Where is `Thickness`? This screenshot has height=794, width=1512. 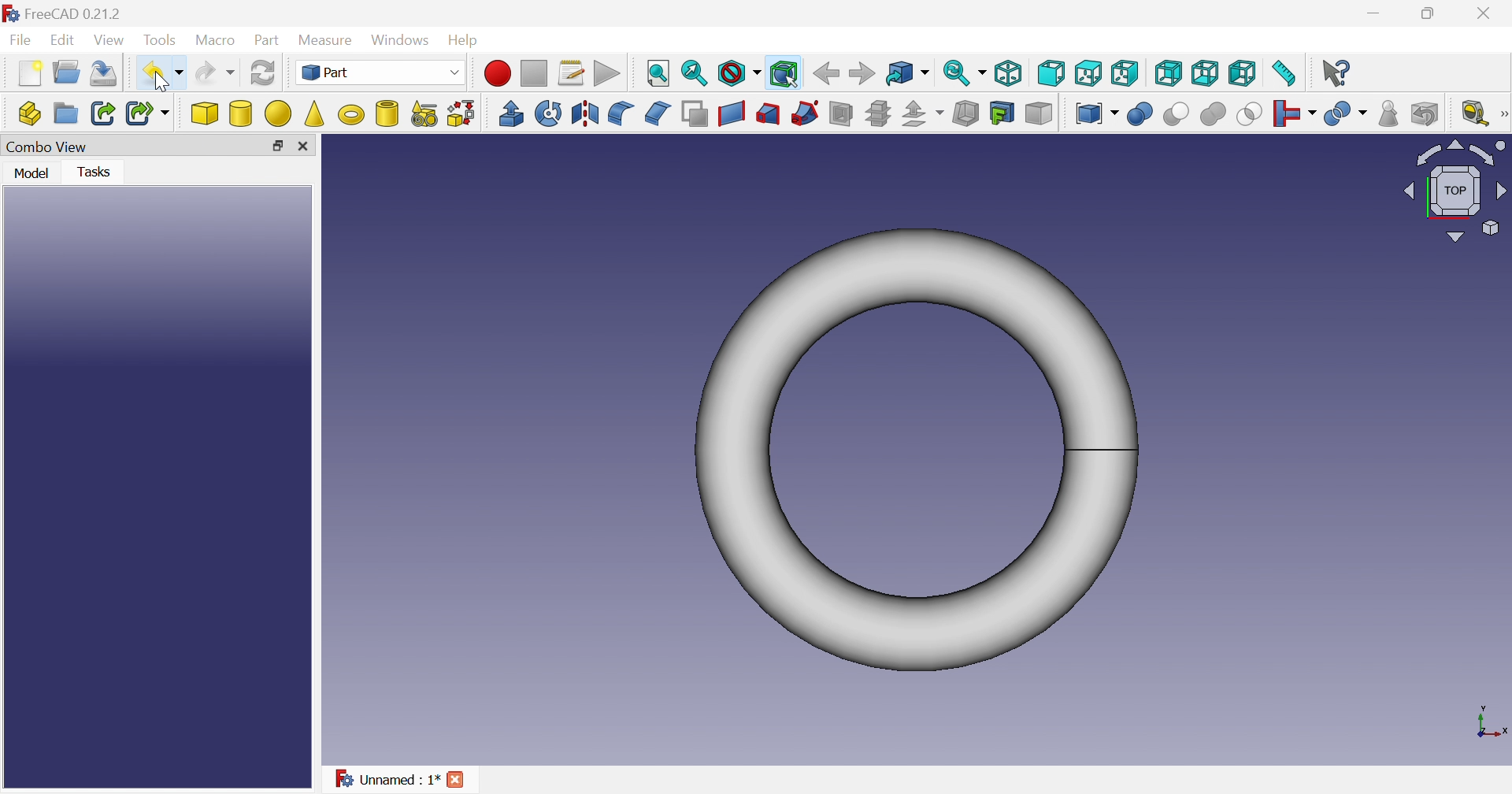 Thickness is located at coordinates (967, 113).